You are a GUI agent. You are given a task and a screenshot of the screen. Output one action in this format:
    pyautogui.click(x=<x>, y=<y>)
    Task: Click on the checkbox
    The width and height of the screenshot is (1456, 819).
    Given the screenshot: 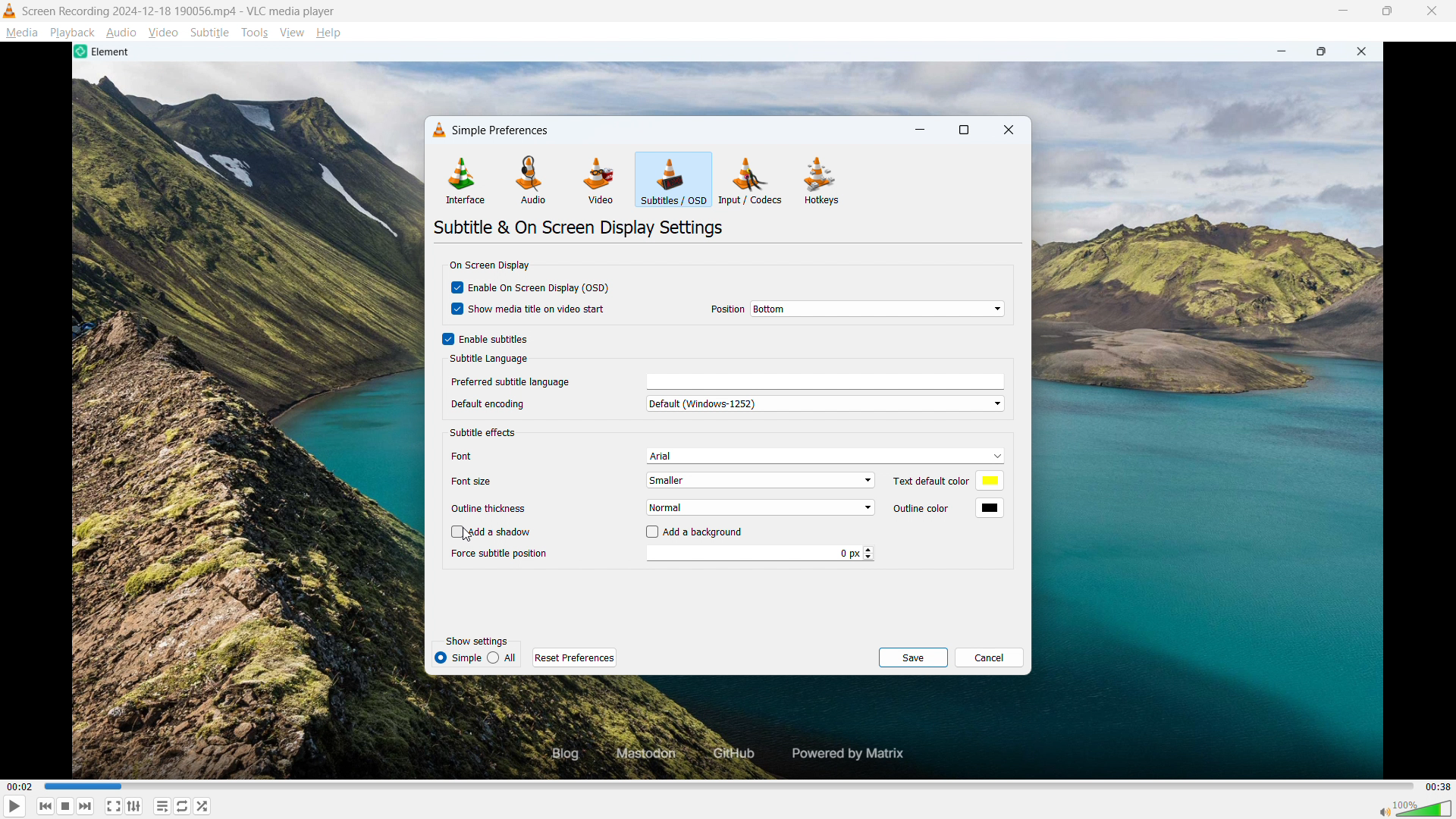 What is the action you would take?
    pyautogui.click(x=456, y=289)
    